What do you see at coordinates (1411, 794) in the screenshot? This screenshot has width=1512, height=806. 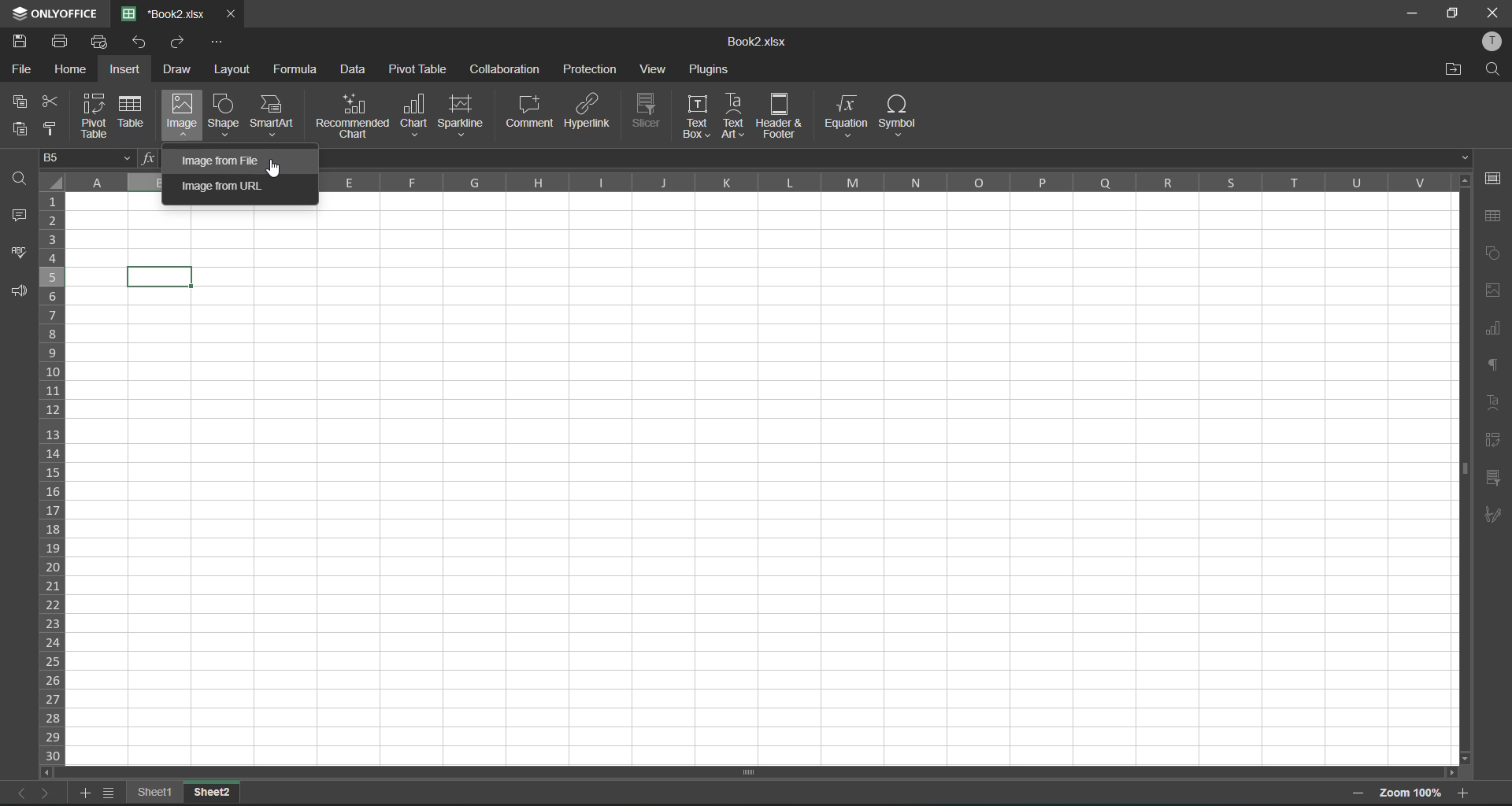 I see `zoom 100%` at bounding box center [1411, 794].